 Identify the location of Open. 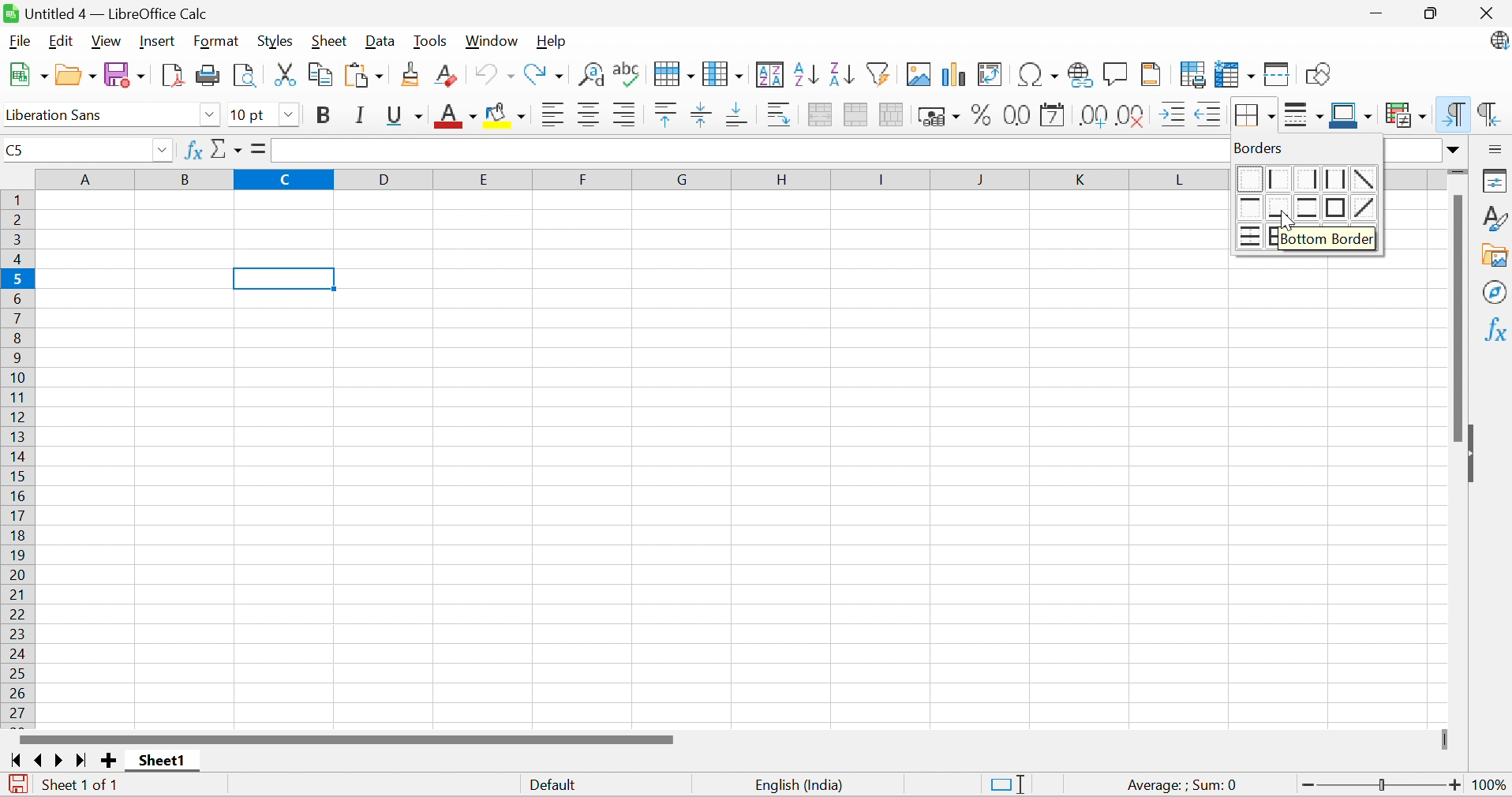
(76, 75).